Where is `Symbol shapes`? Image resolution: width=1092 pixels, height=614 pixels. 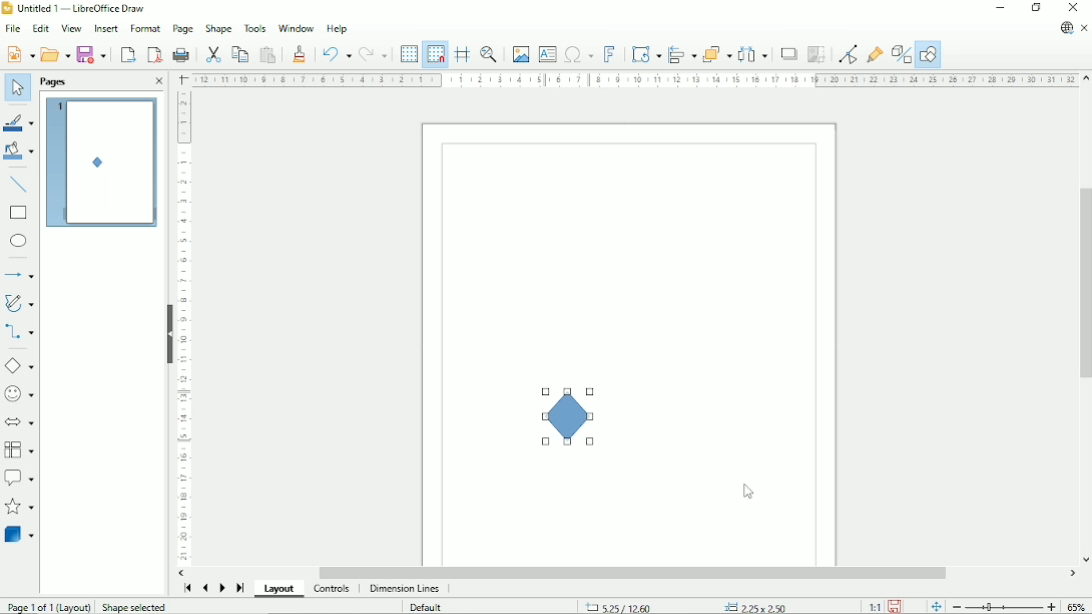 Symbol shapes is located at coordinates (20, 393).